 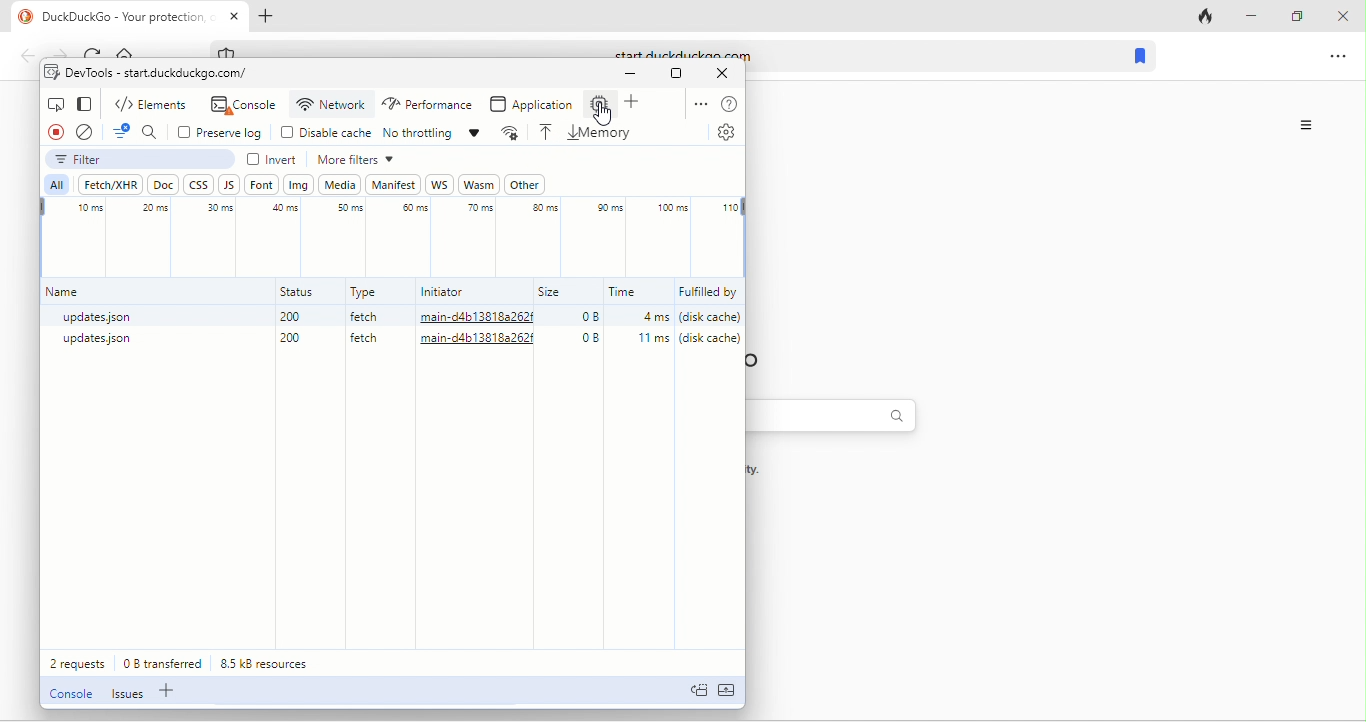 What do you see at coordinates (1140, 57) in the screenshot?
I see `bookmark` at bounding box center [1140, 57].